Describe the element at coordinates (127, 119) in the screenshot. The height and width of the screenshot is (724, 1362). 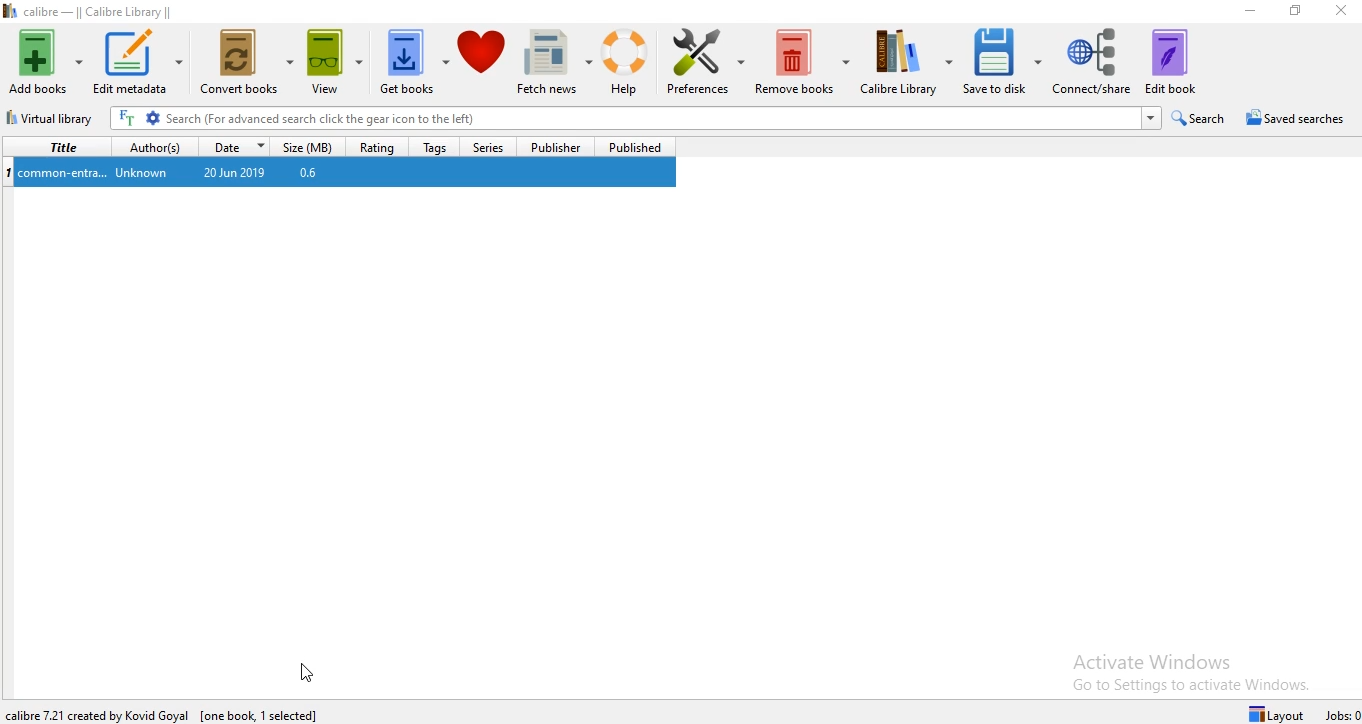
I see `Search for the full text of all books in the library, not just their metadata` at that location.